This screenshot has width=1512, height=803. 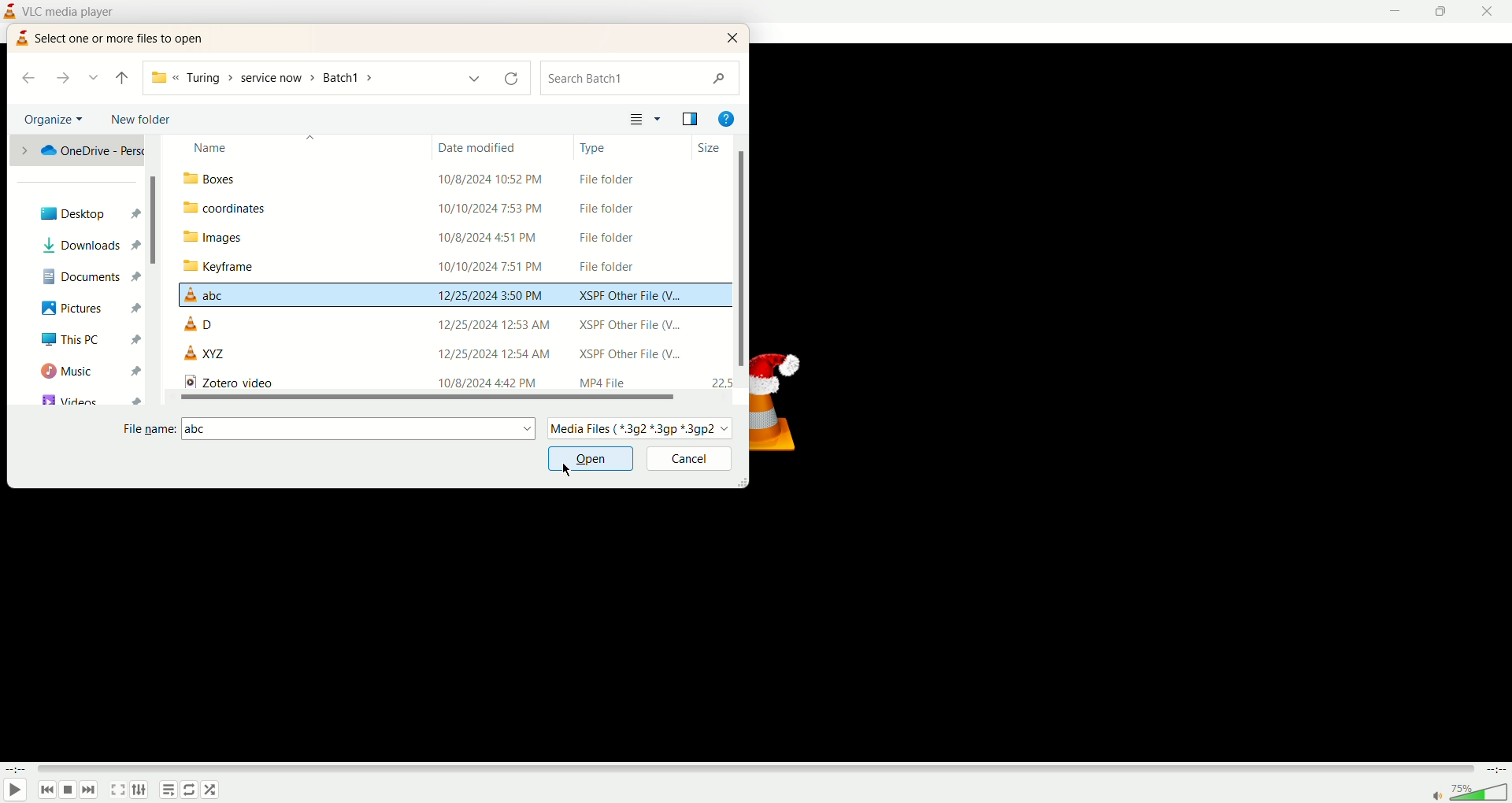 What do you see at coordinates (86, 214) in the screenshot?
I see `desktop` at bounding box center [86, 214].